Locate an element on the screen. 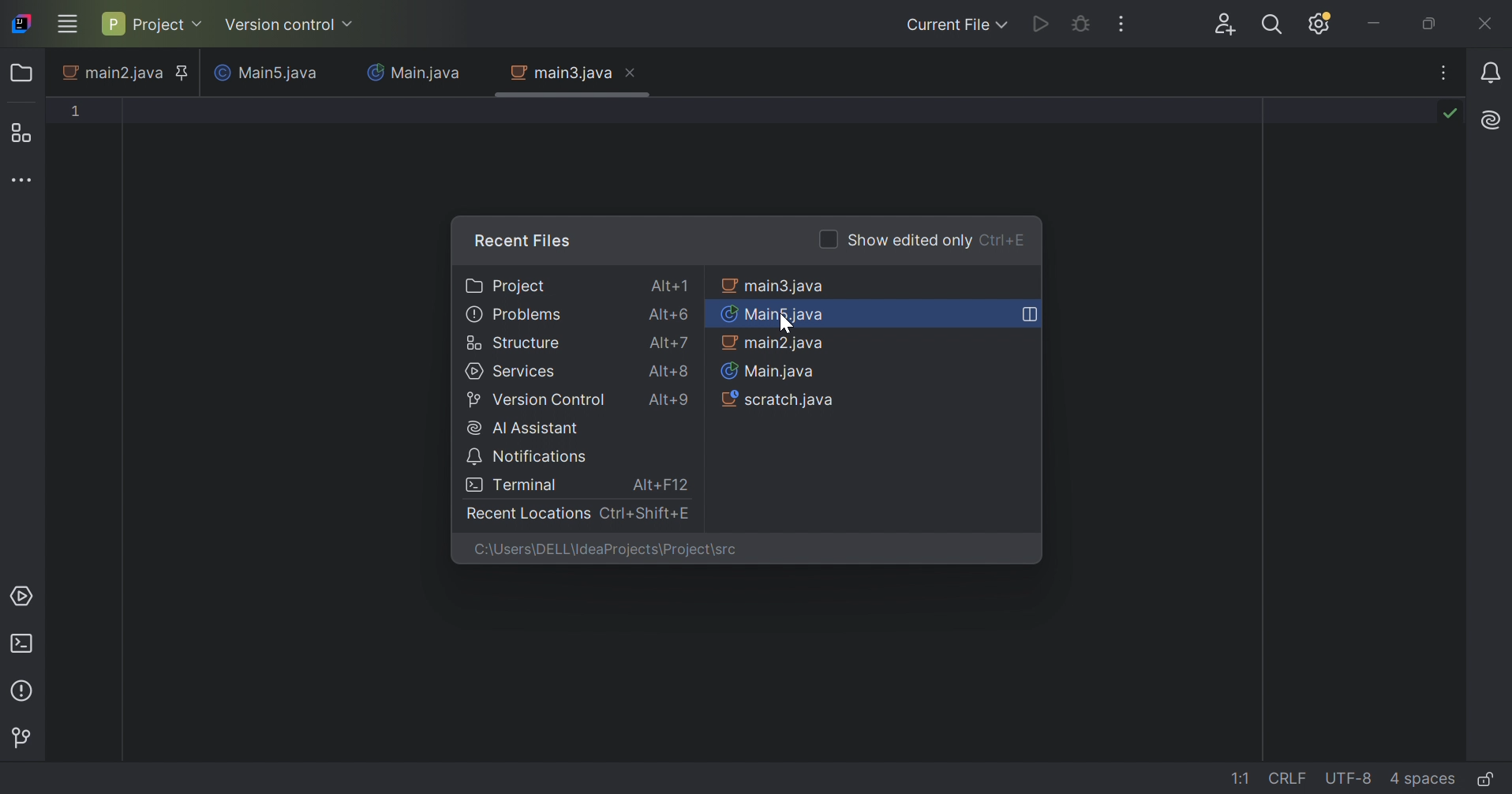  Run is located at coordinates (1041, 25).